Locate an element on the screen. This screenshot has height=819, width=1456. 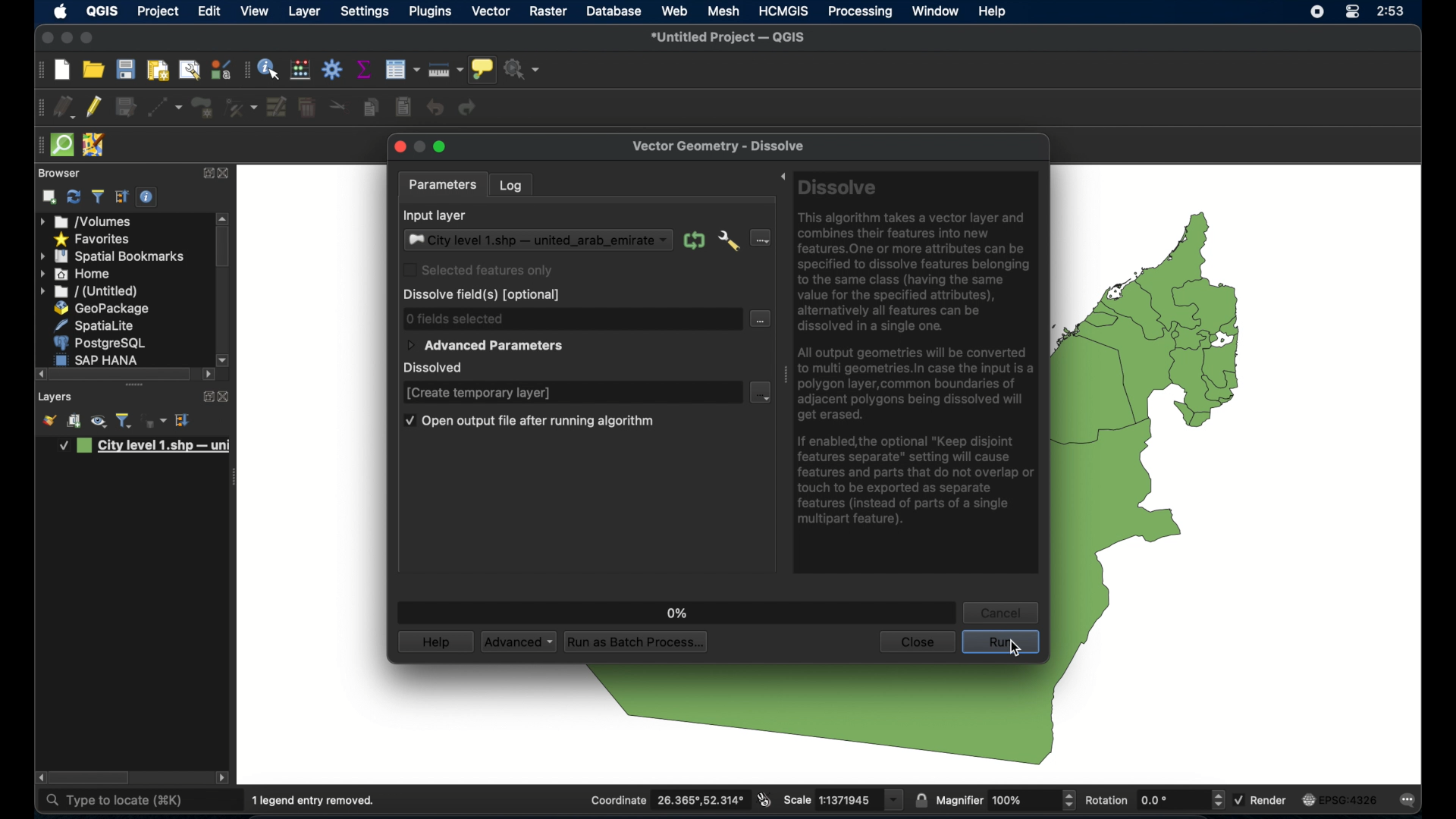
maximize is located at coordinates (442, 146).